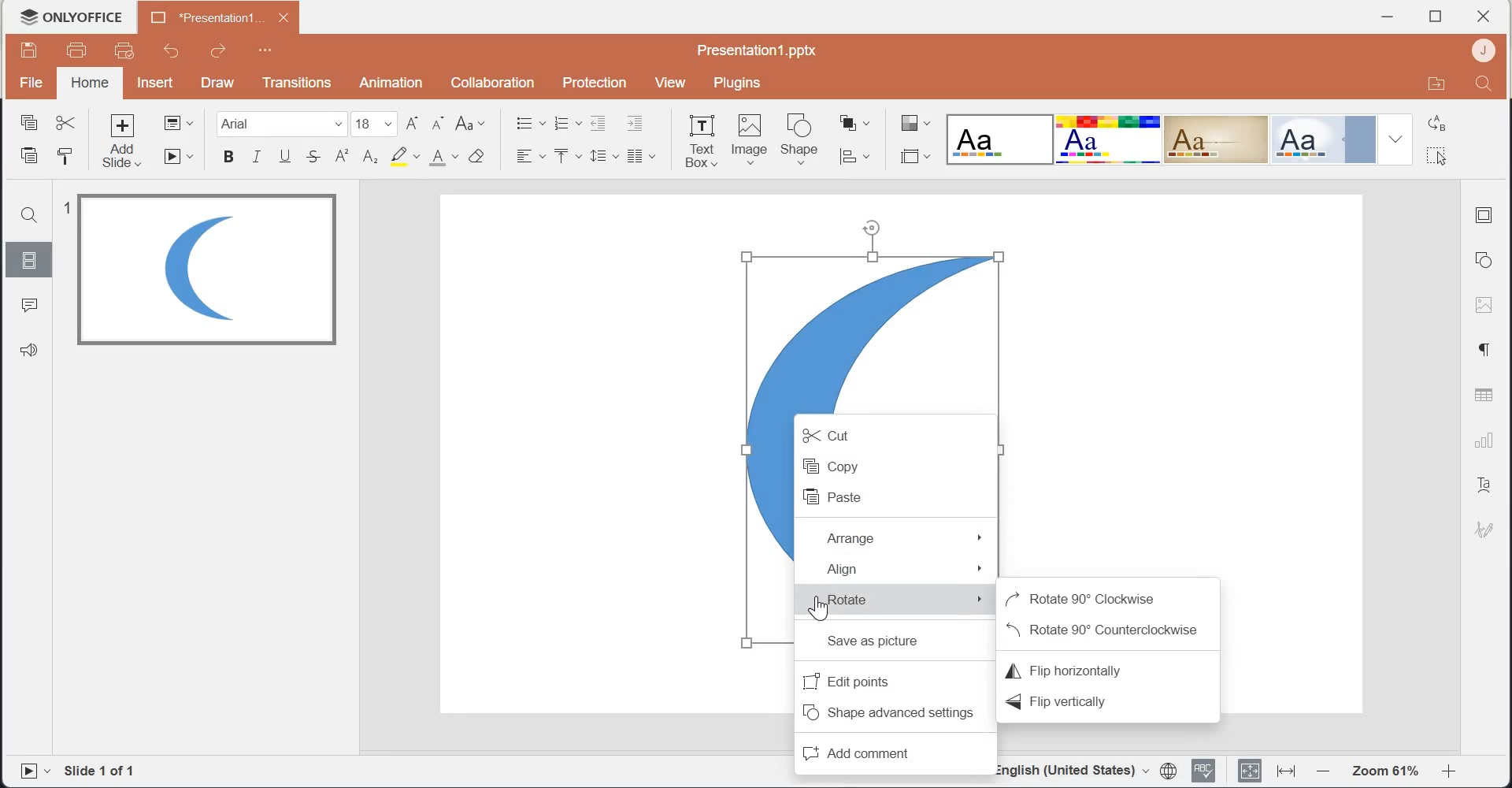 This screenshot has width=1512, height=788. What do you see at coordinates (1455, 772) in the screenshot?
I see `Zoom in` at bounding box center [1455, 772].